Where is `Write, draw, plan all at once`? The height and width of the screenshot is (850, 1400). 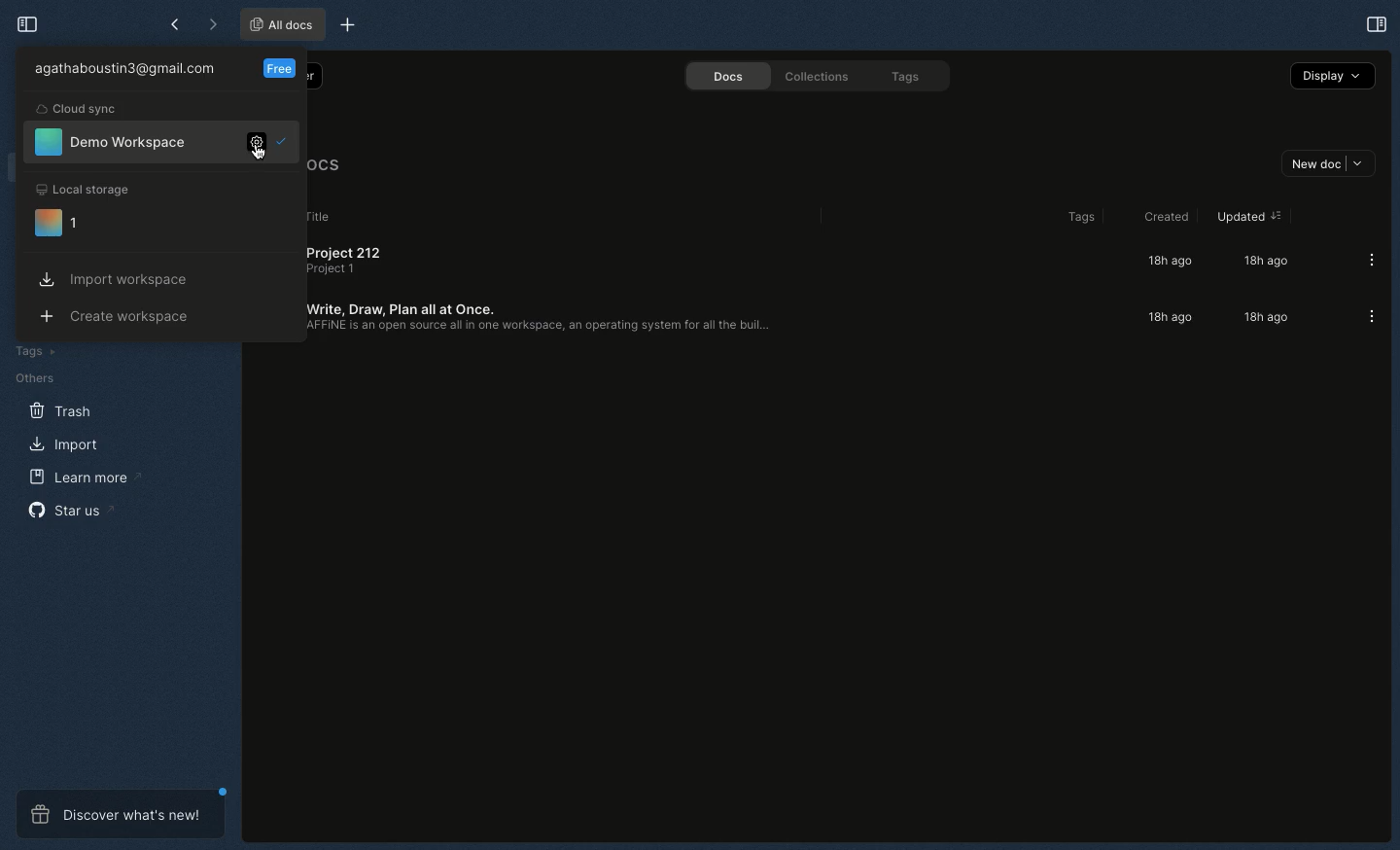 Write, draw, plan all at once is located at coordinates (542, 318).